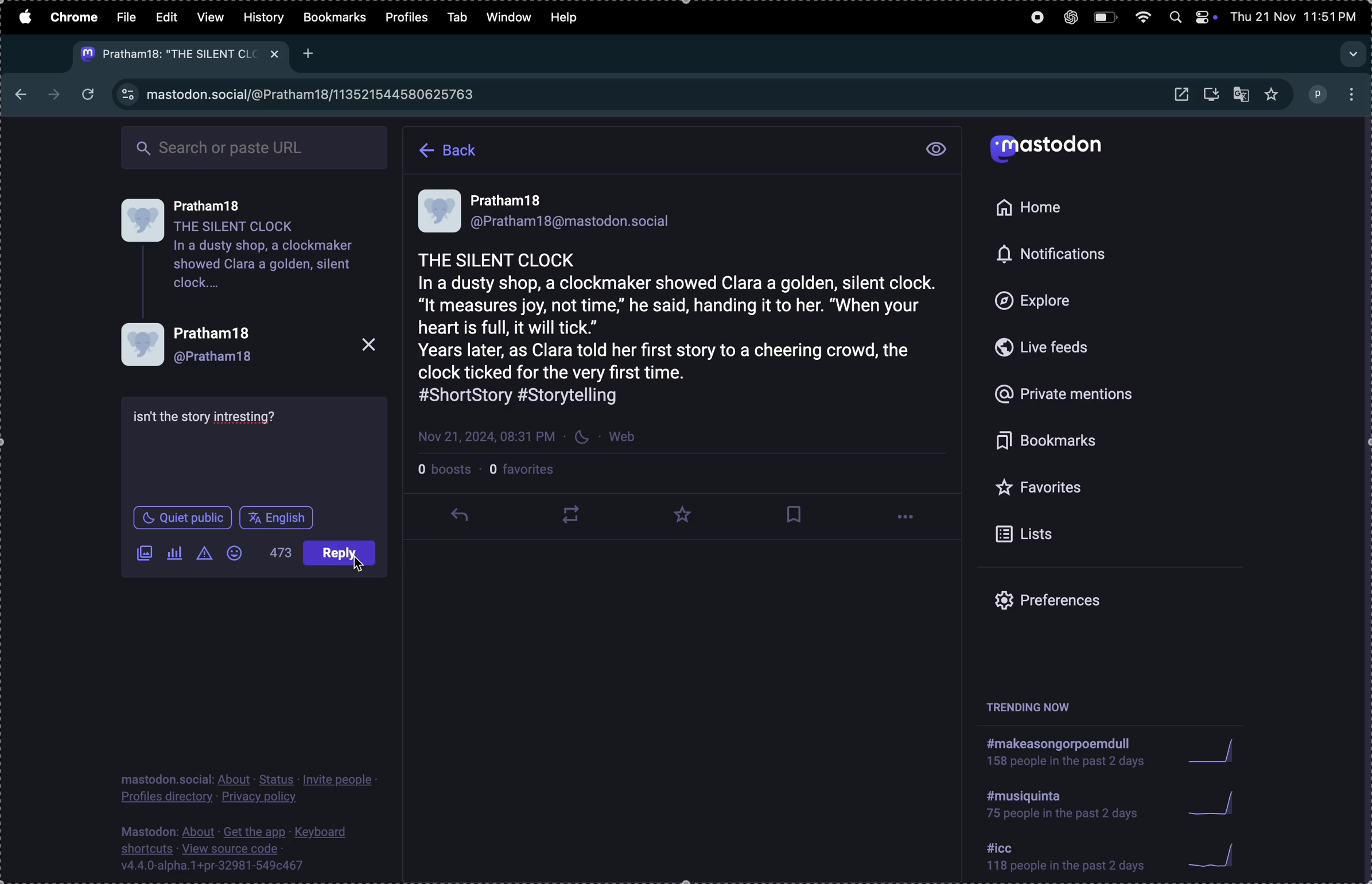 The height and width of the screenshot is (884, 1372). What do you see at coordinates (256, 254) in the screenshot?
I see `user profile` at bounding box center [256, 254].